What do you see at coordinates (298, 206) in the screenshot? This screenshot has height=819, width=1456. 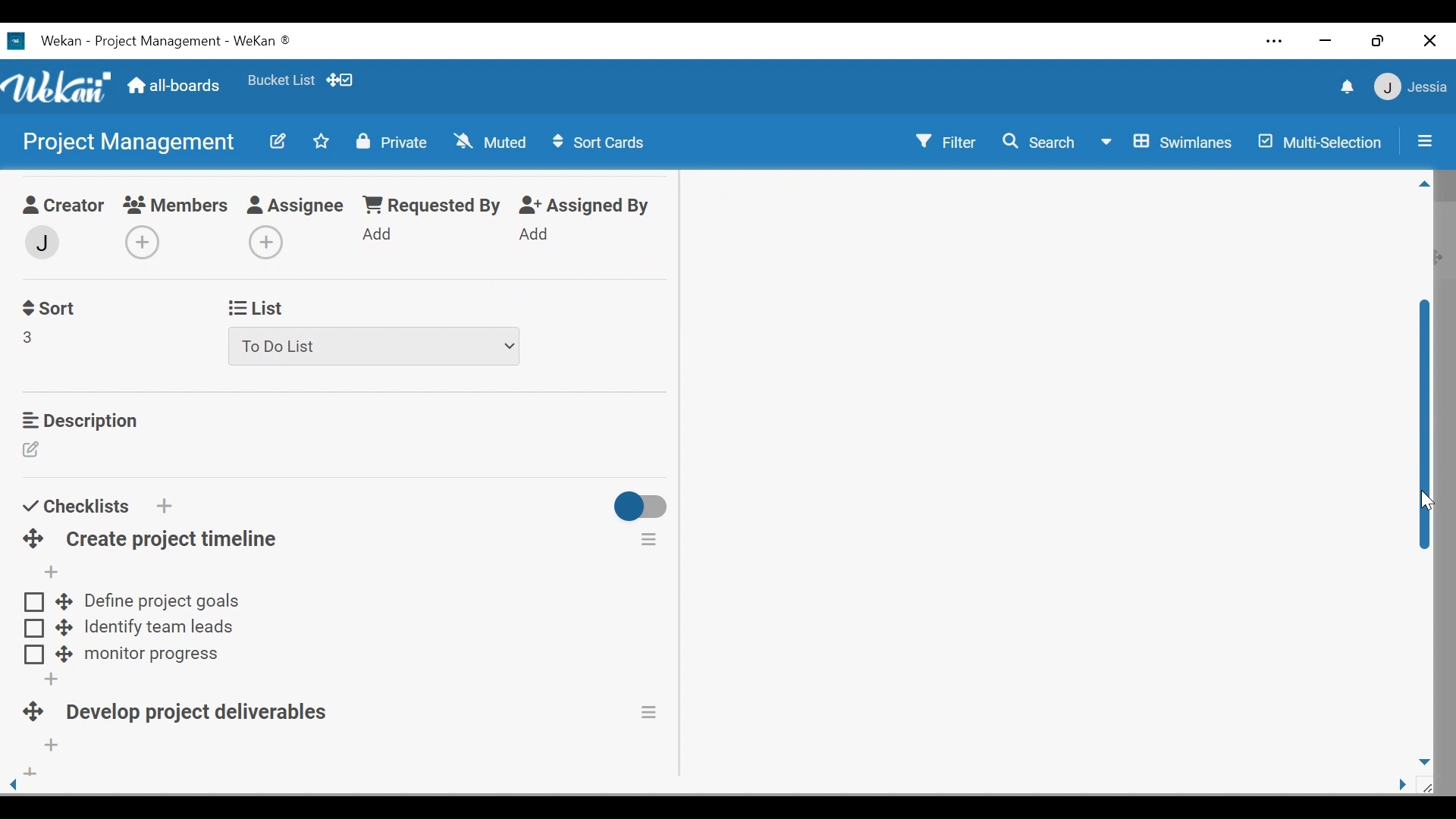 I see `Assignee` at bounding box center [298, 206].